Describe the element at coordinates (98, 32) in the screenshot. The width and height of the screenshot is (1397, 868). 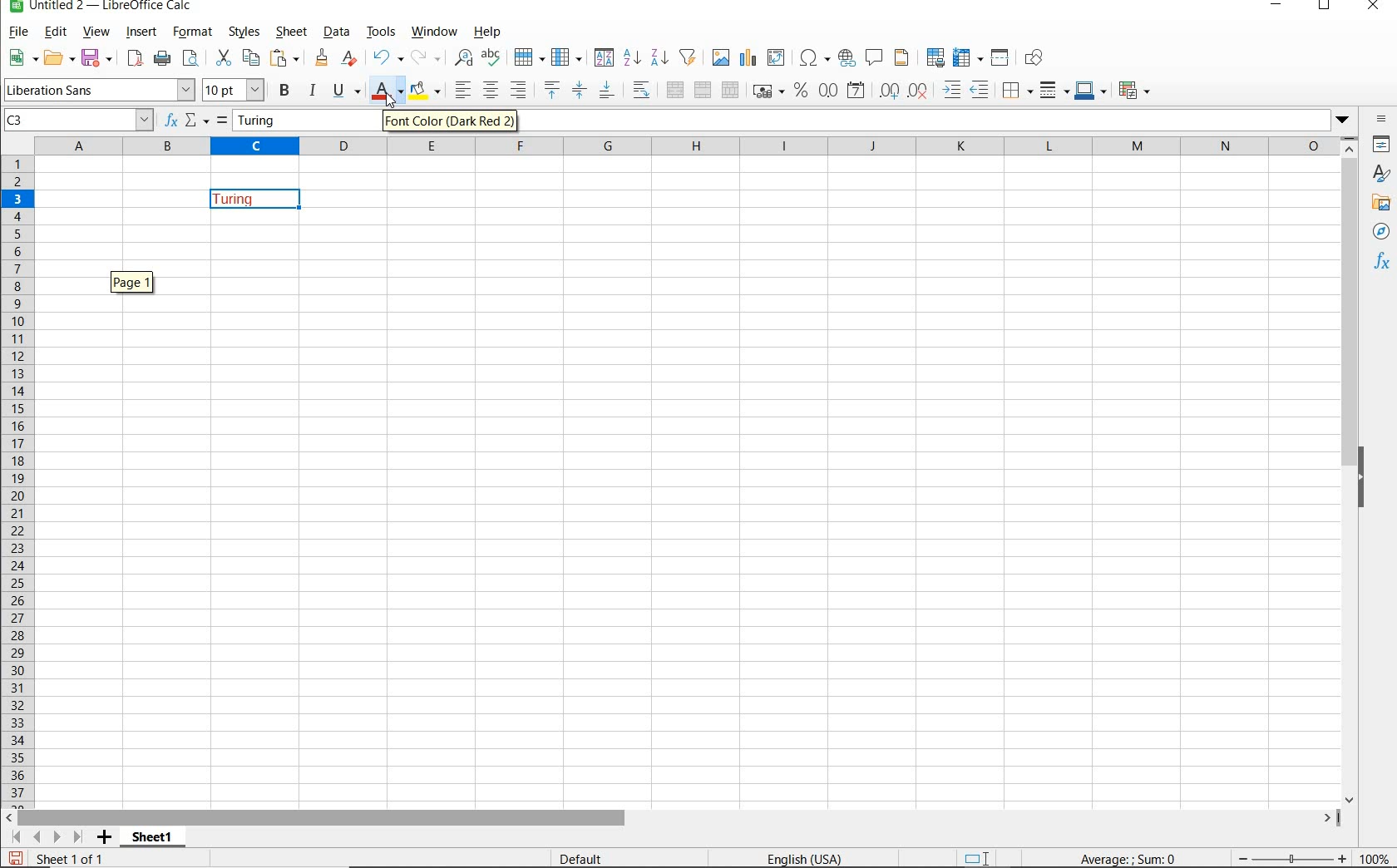
I see `VIEW` at that location.